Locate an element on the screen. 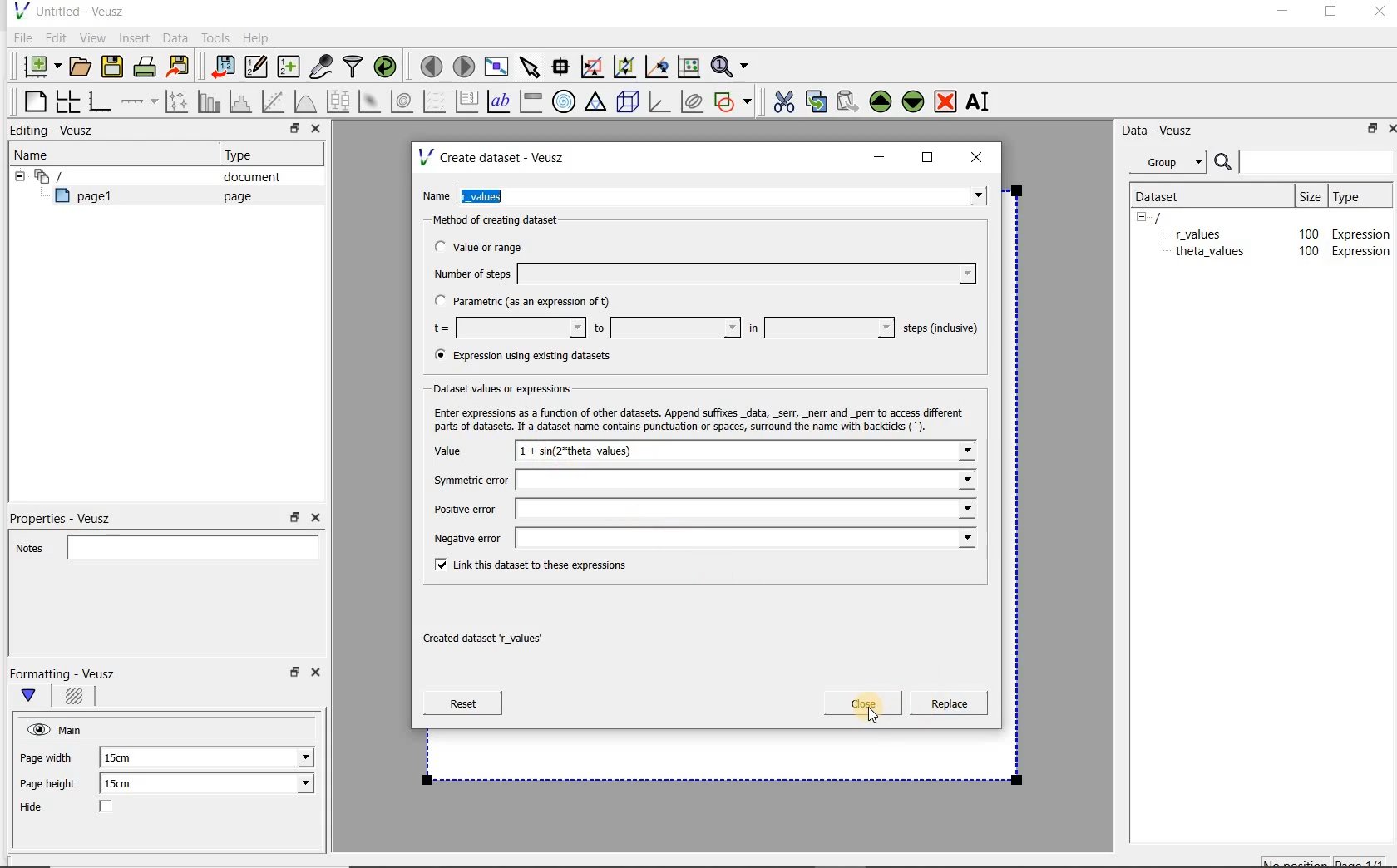 This screenshot has height=868, width=1397. Expression is located at coordinates (1358, 230).